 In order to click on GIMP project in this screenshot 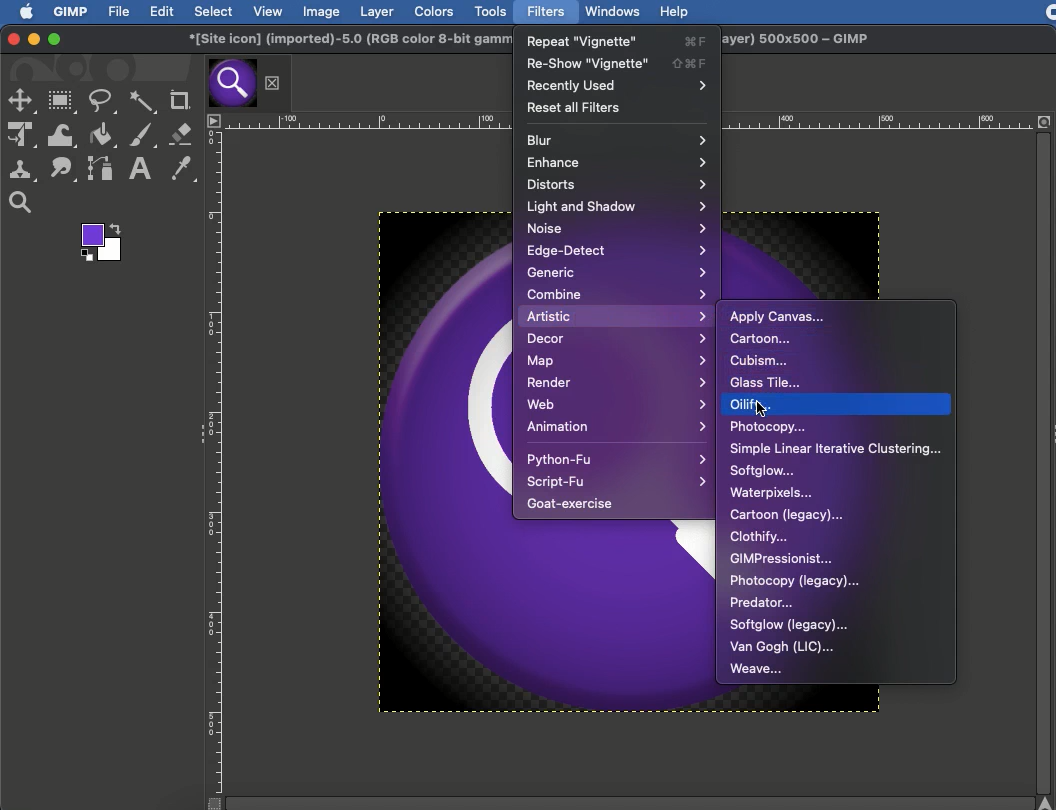, I will do `click(343, 40)`.